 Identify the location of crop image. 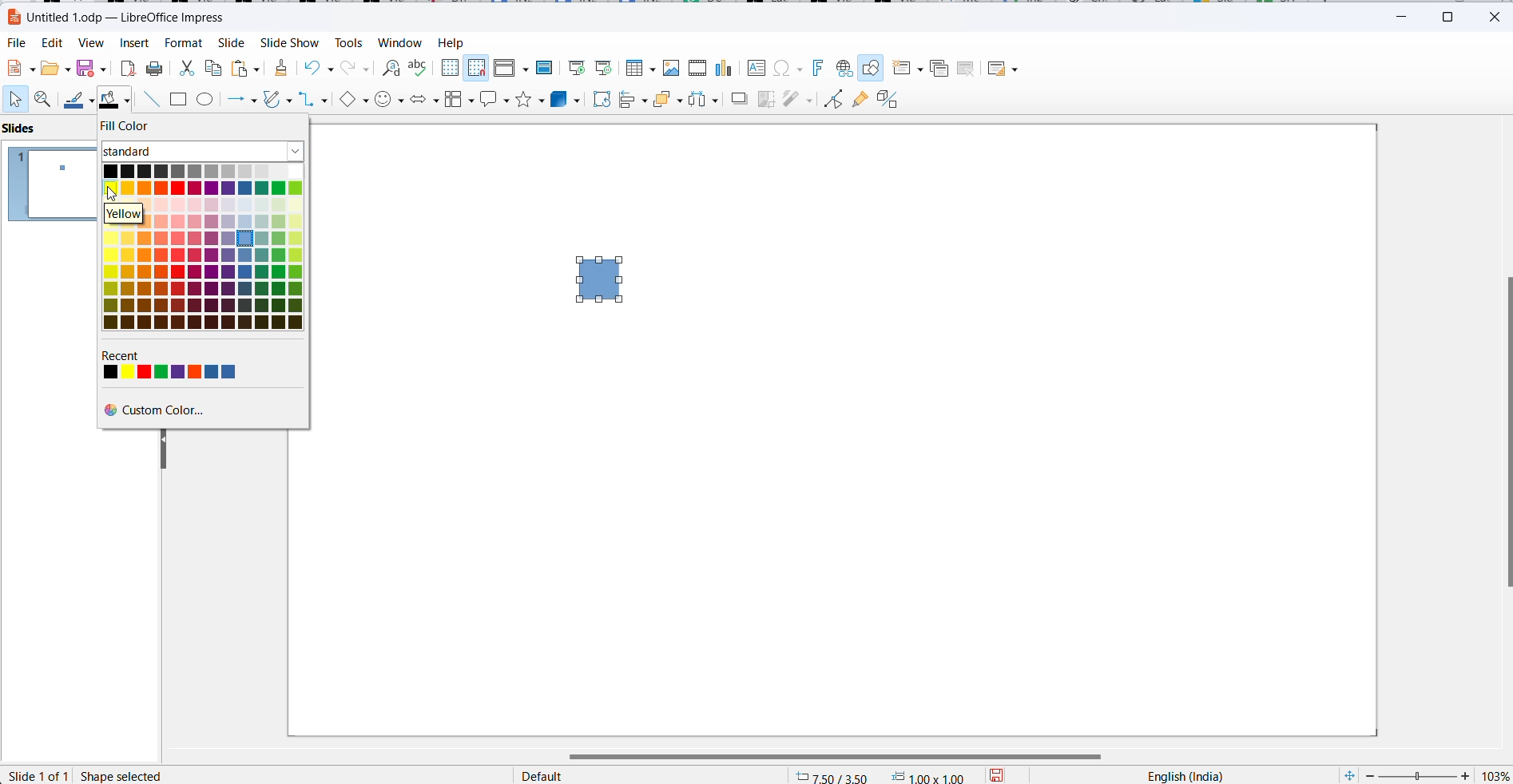
(766, 99).